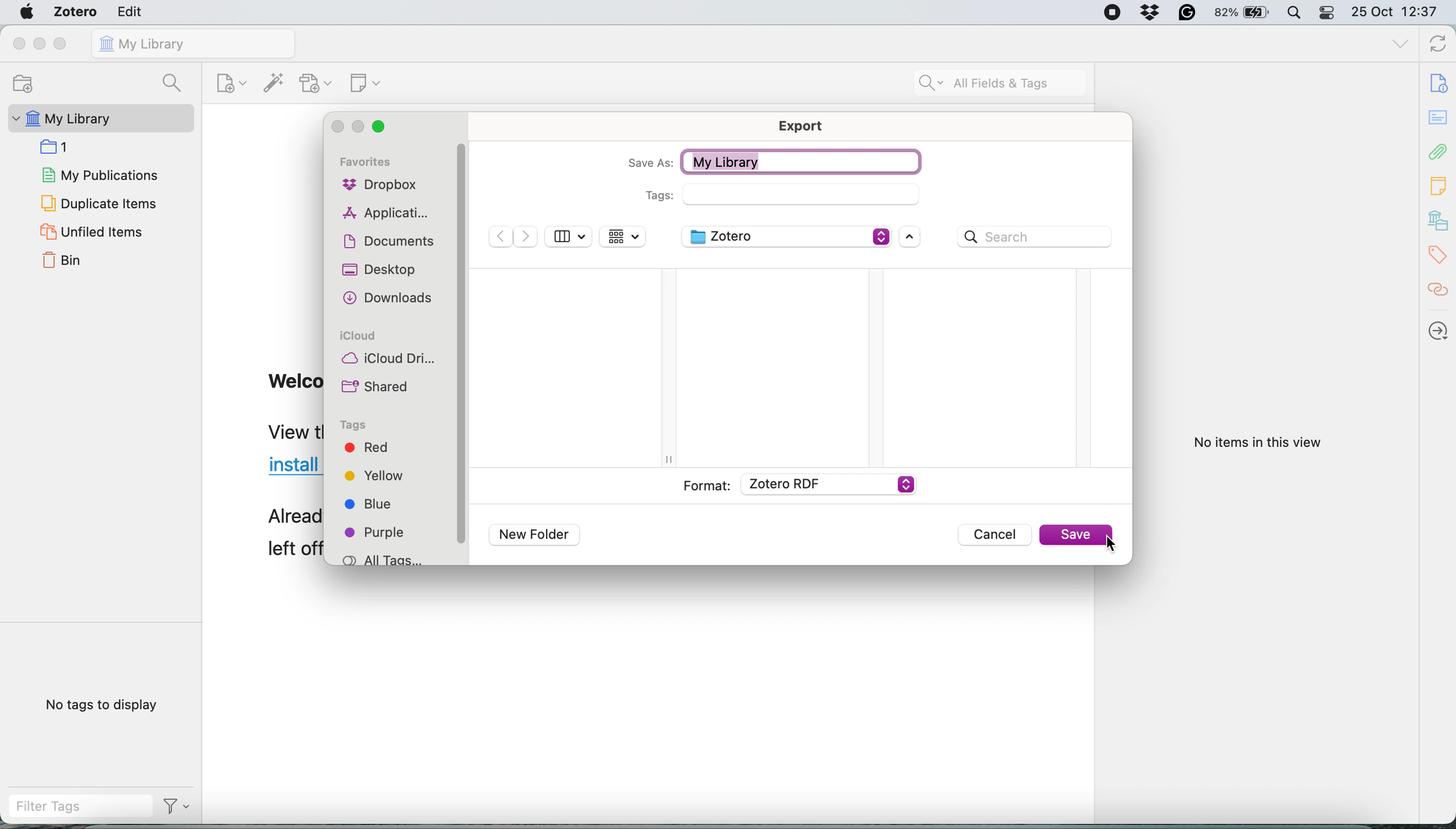 The width and height of the screenshot is (1456, 829). What do you see at coordinates (391, 359) in the screenshot?
I see `iCloud Dri...` at bounding box center [391, 359].